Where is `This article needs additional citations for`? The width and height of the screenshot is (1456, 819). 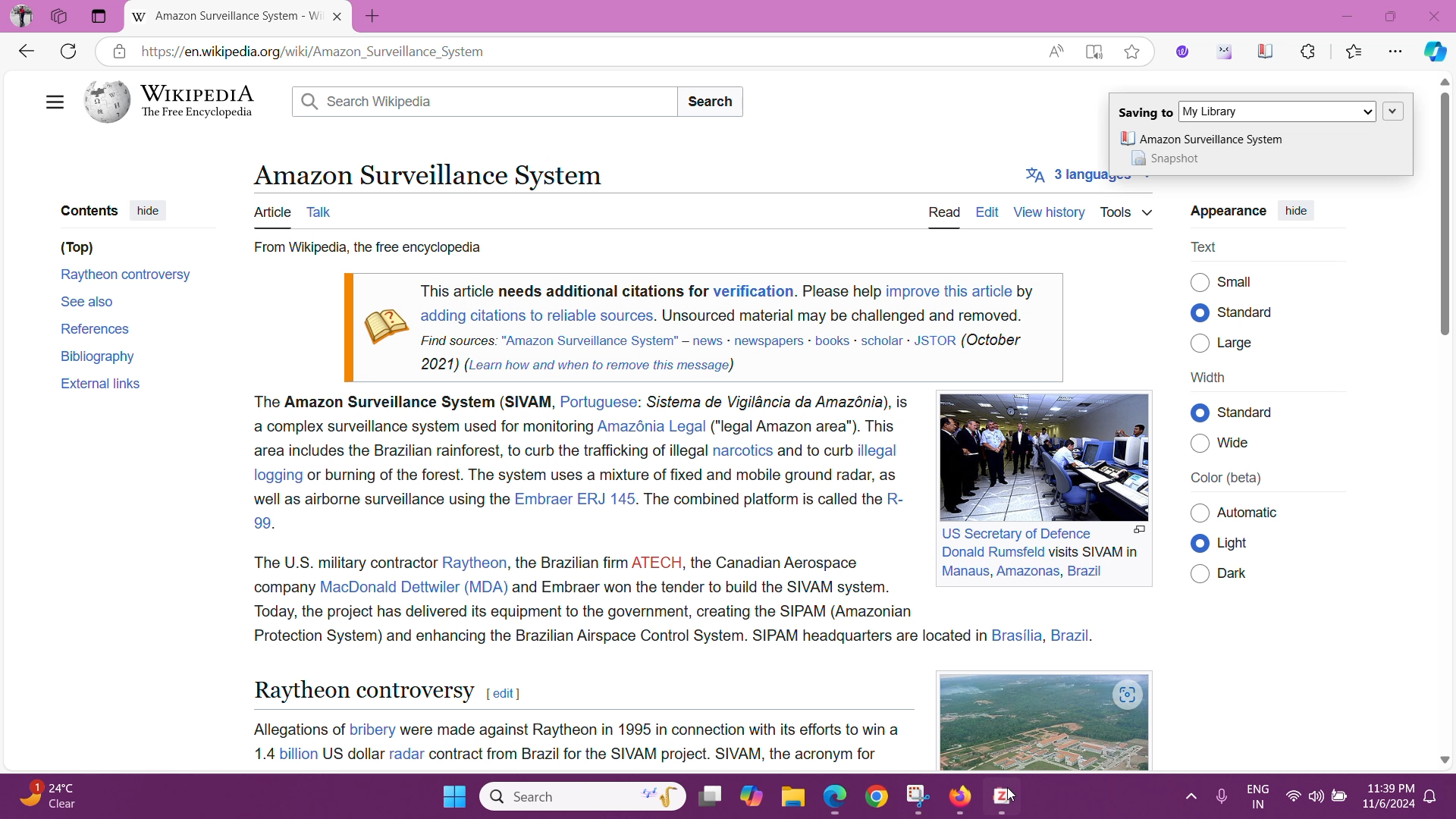 This article needs additional citations for is located at coordinates (564, 290).